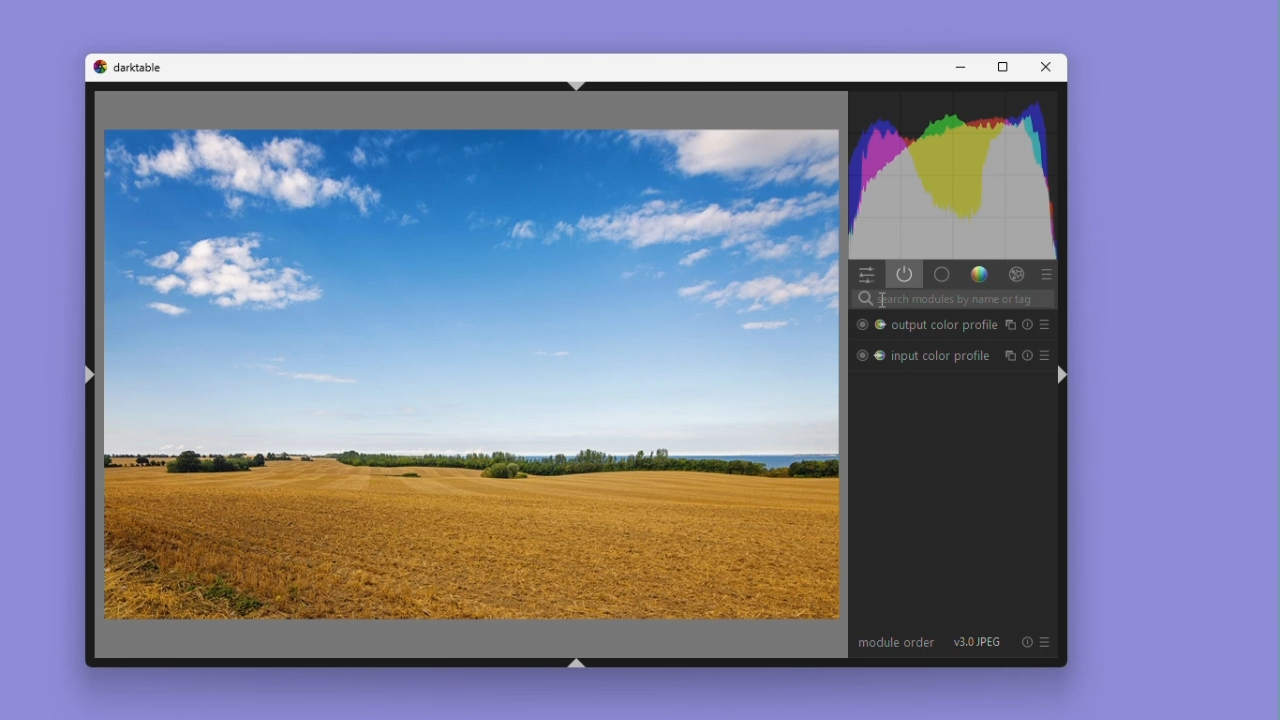 The height and width of the screenshot is (720, 1280). What do you see at coordinates (1013, 275) in the screenshot?
I see `effect` at bounding box center [1013, 275].